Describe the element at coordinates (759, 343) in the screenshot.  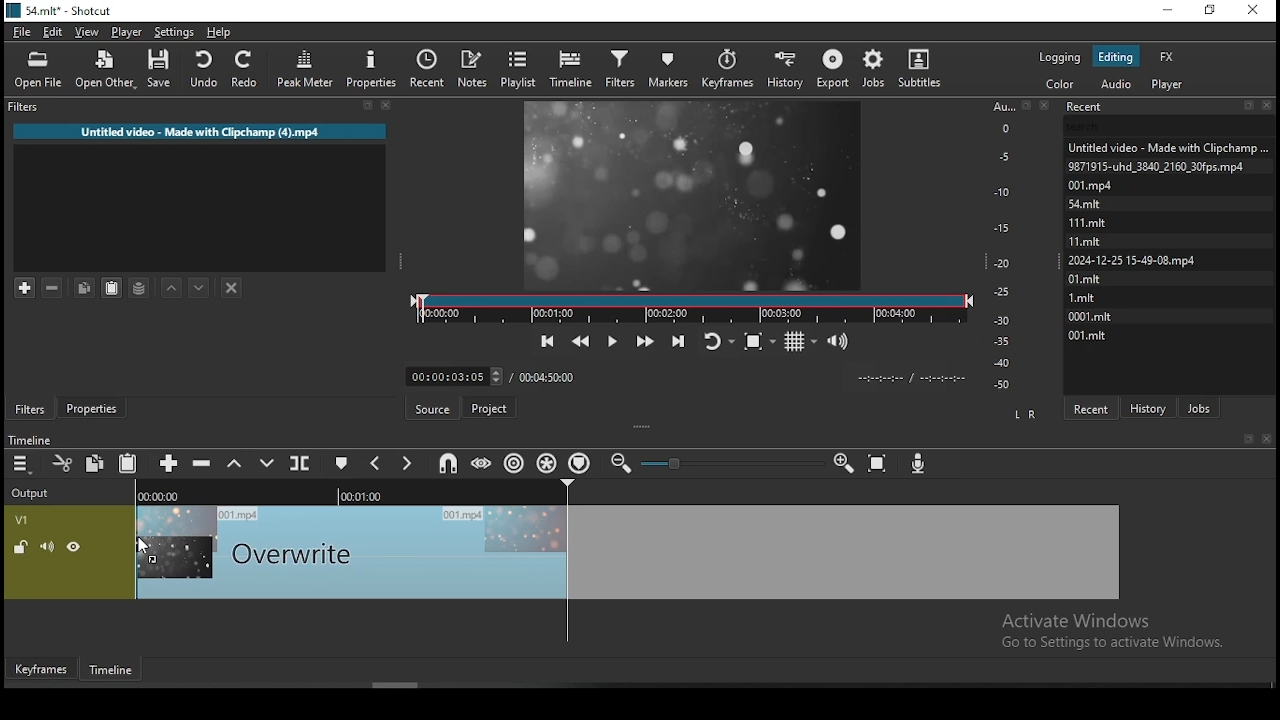
I see `toggle zoom` at that location.